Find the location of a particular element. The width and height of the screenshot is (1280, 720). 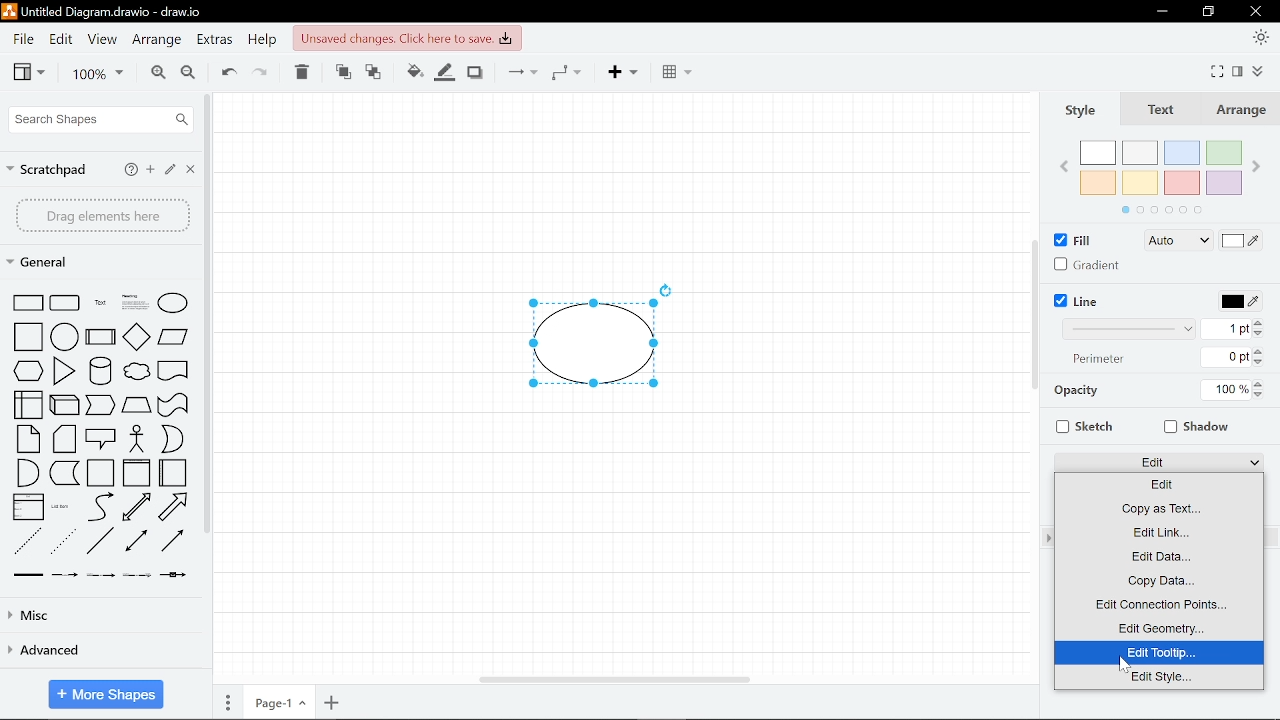

restore down is located at coordinates (1208, 12).